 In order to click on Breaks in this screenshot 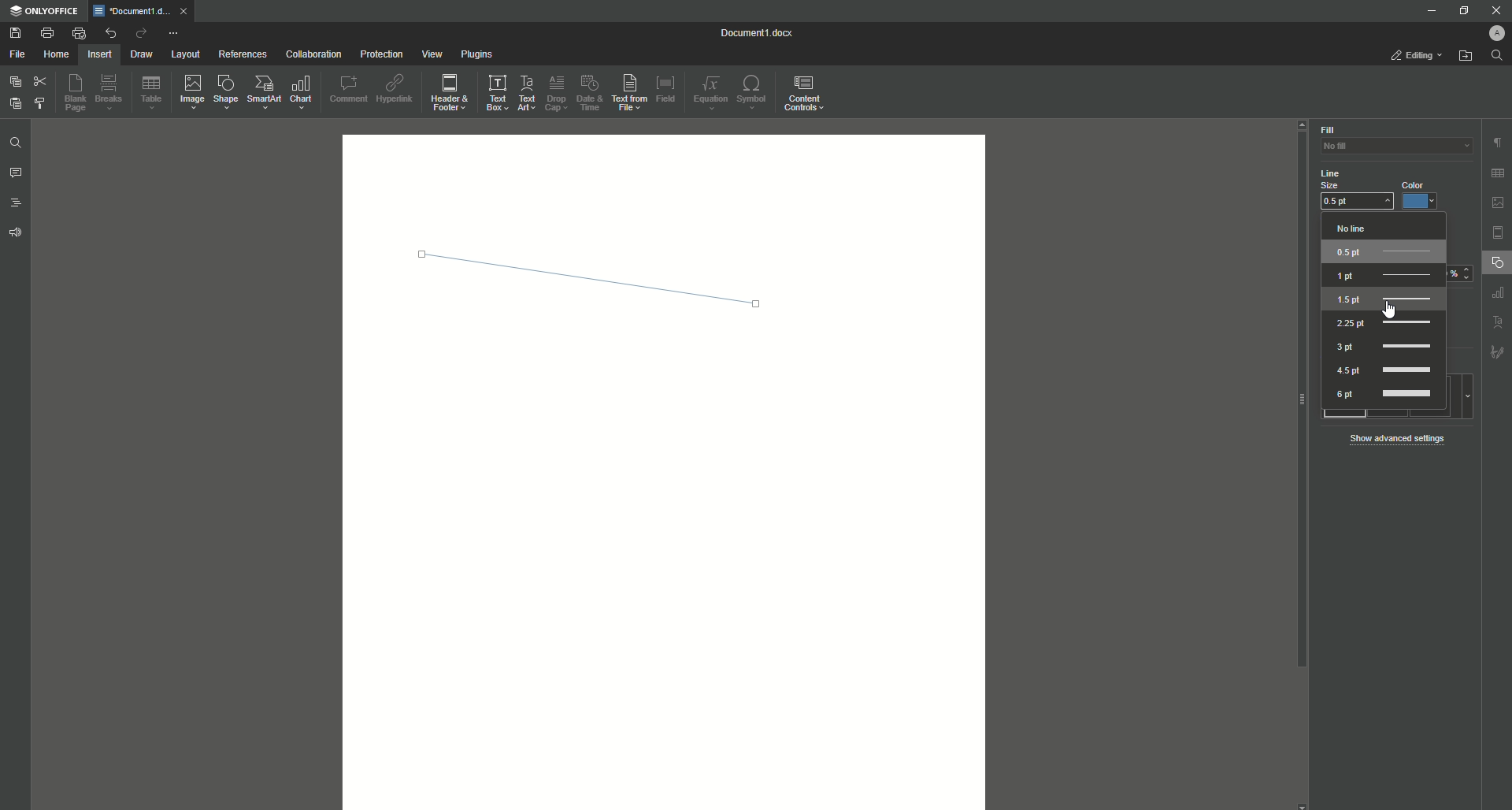, I will do `click(112, 94)`.